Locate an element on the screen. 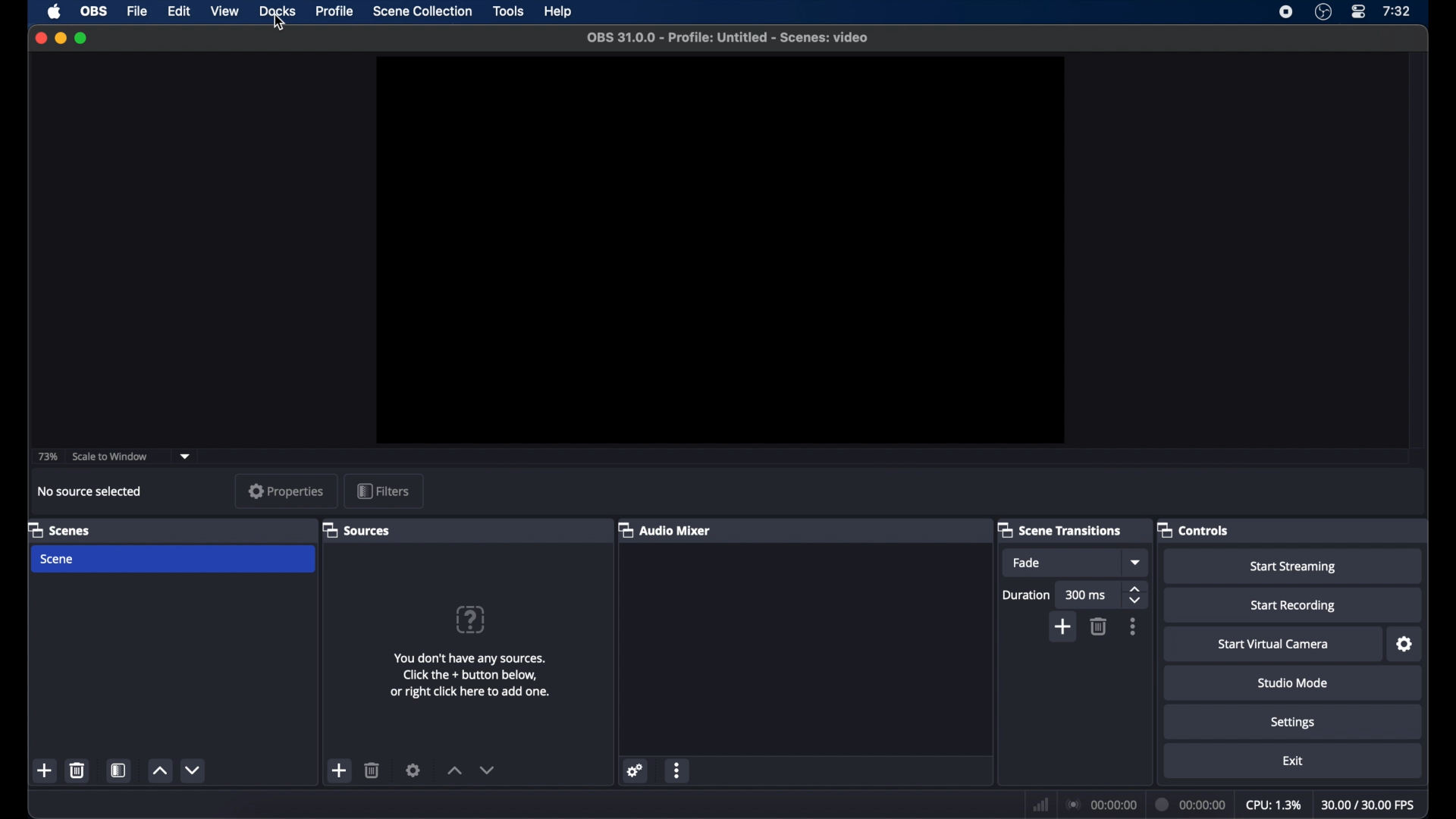 The height and width of the screenshot is (819, 1456). 00:00:00 is located at coordinates (1191, 803).